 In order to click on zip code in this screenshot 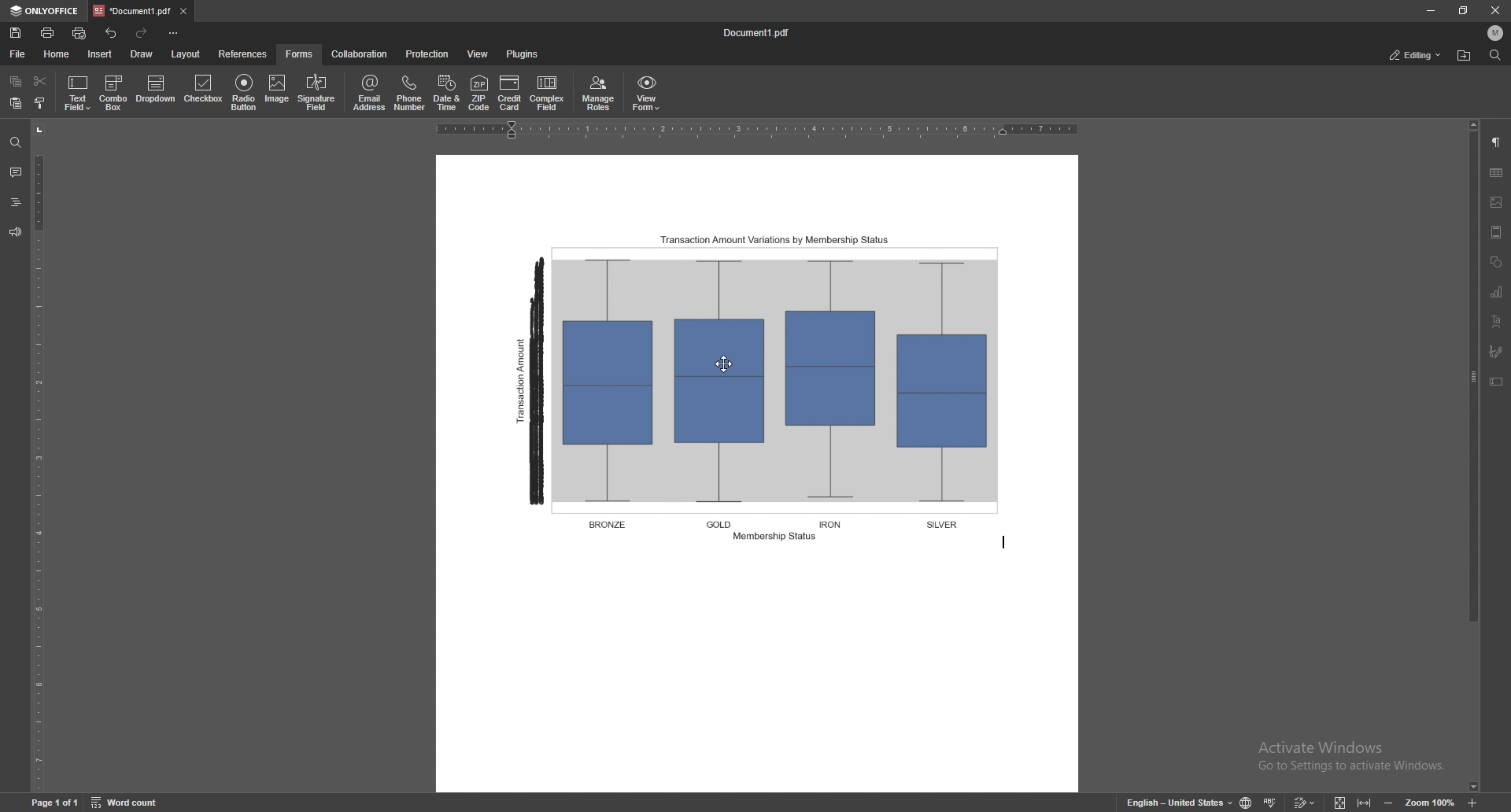, I will do `click(478, 92)`.